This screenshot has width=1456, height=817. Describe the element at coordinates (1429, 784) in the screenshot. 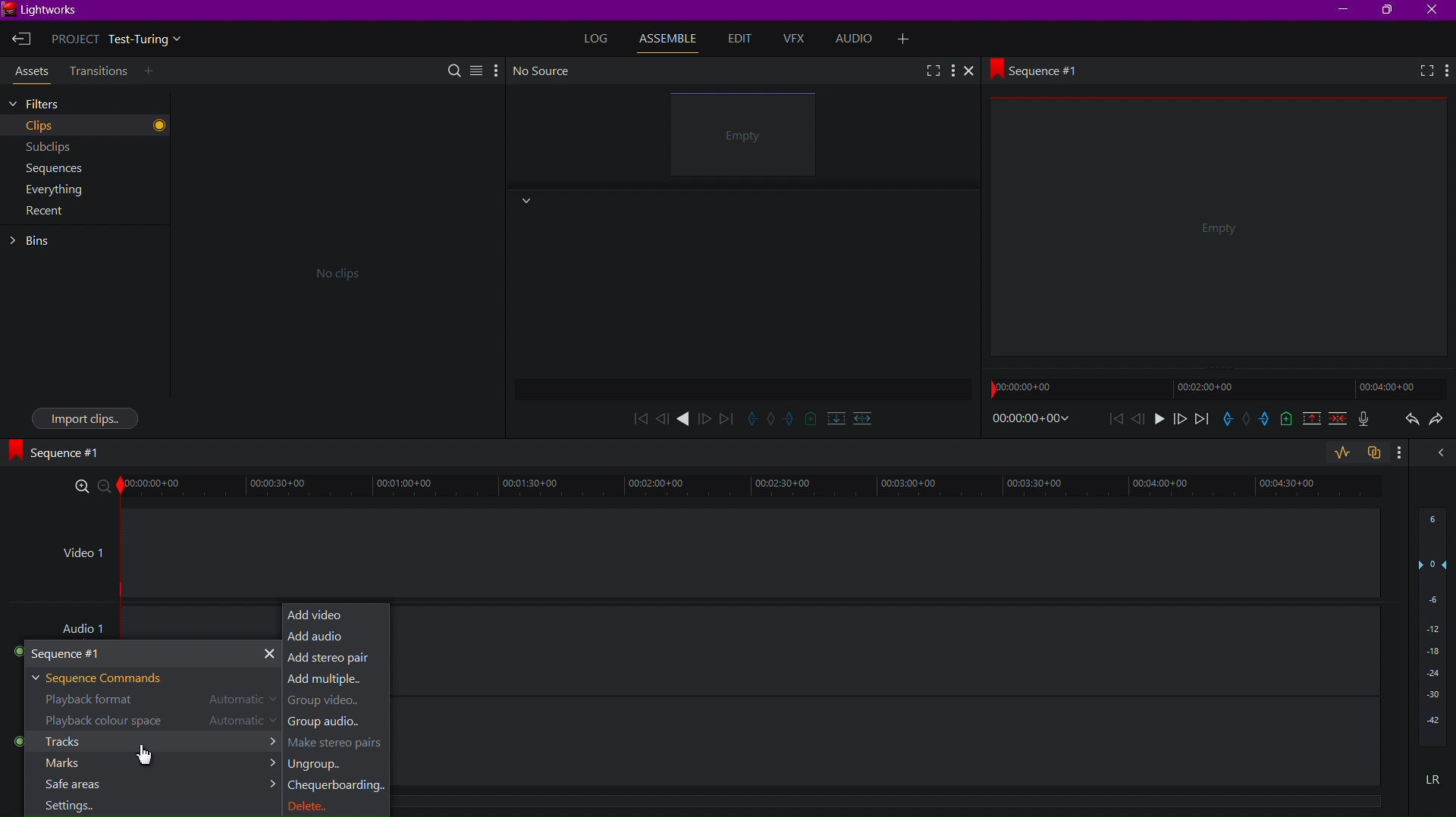

I see `LR` at that location.